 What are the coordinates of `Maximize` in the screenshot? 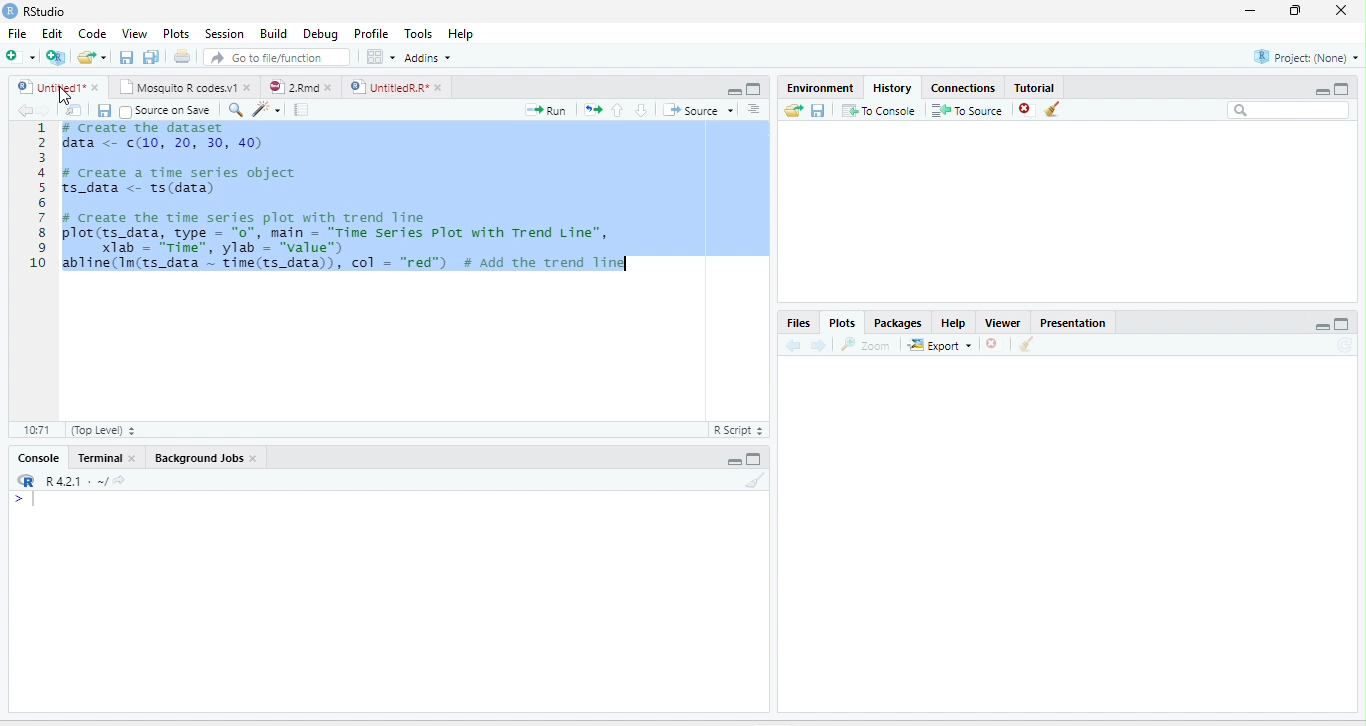 It's located at (755, 89).